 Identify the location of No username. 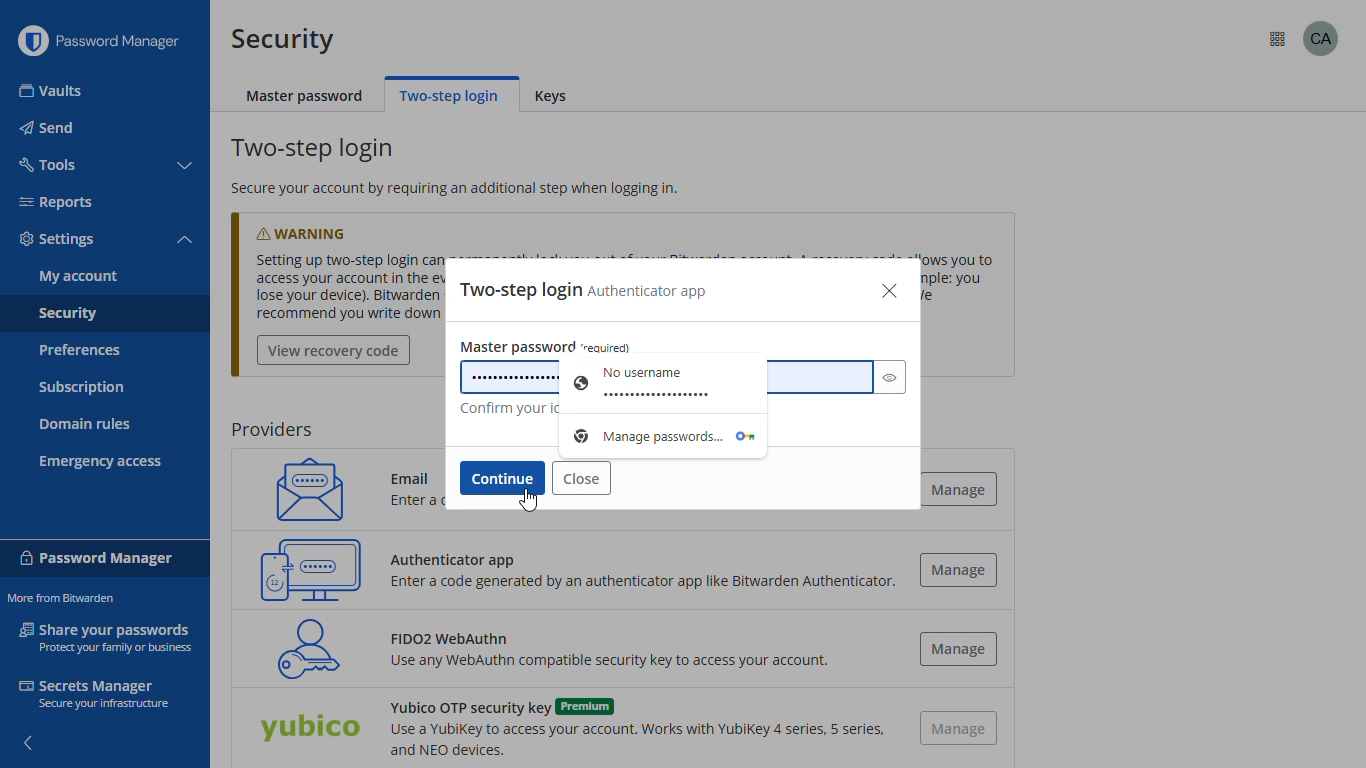
(648, 382).